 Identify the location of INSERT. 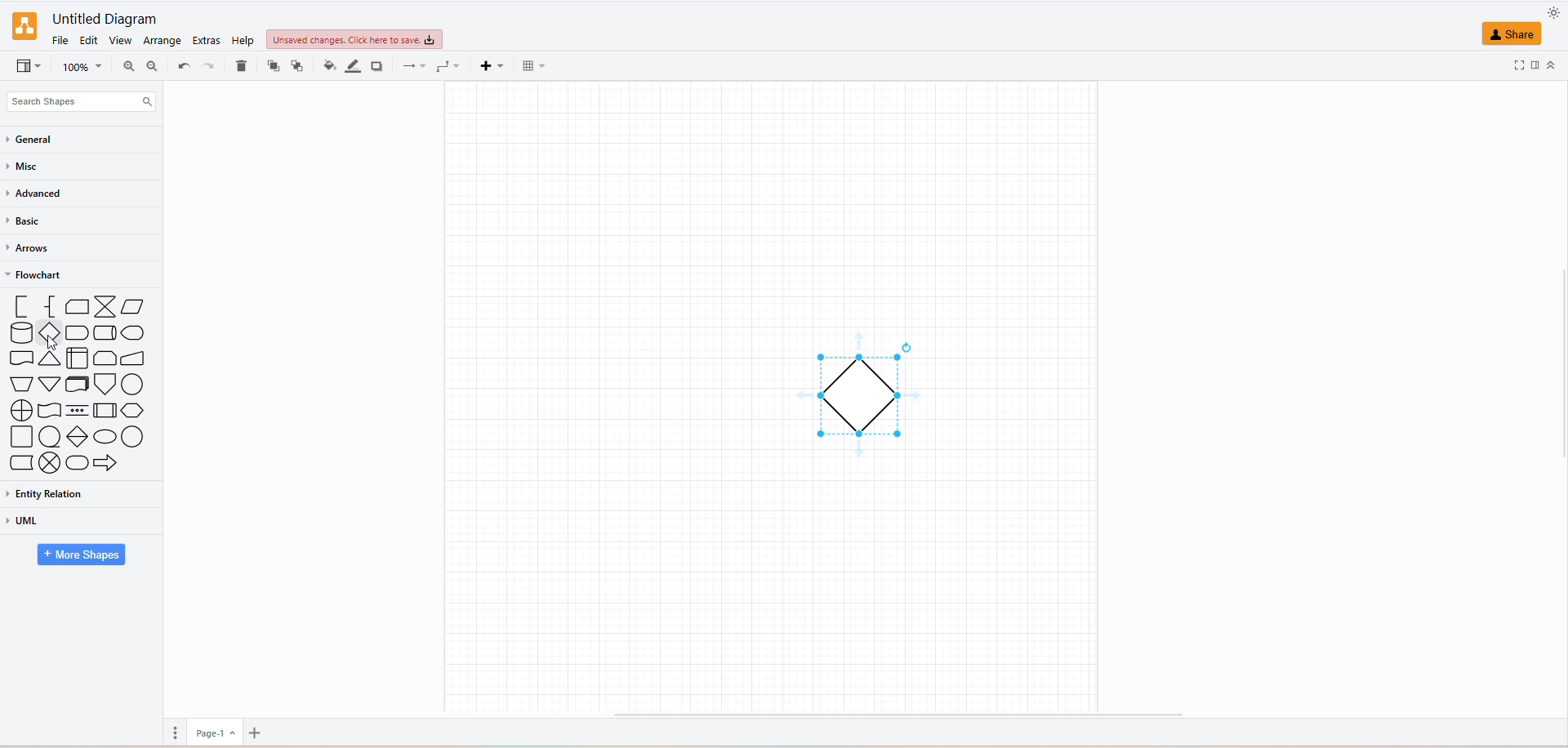
(487, 67).